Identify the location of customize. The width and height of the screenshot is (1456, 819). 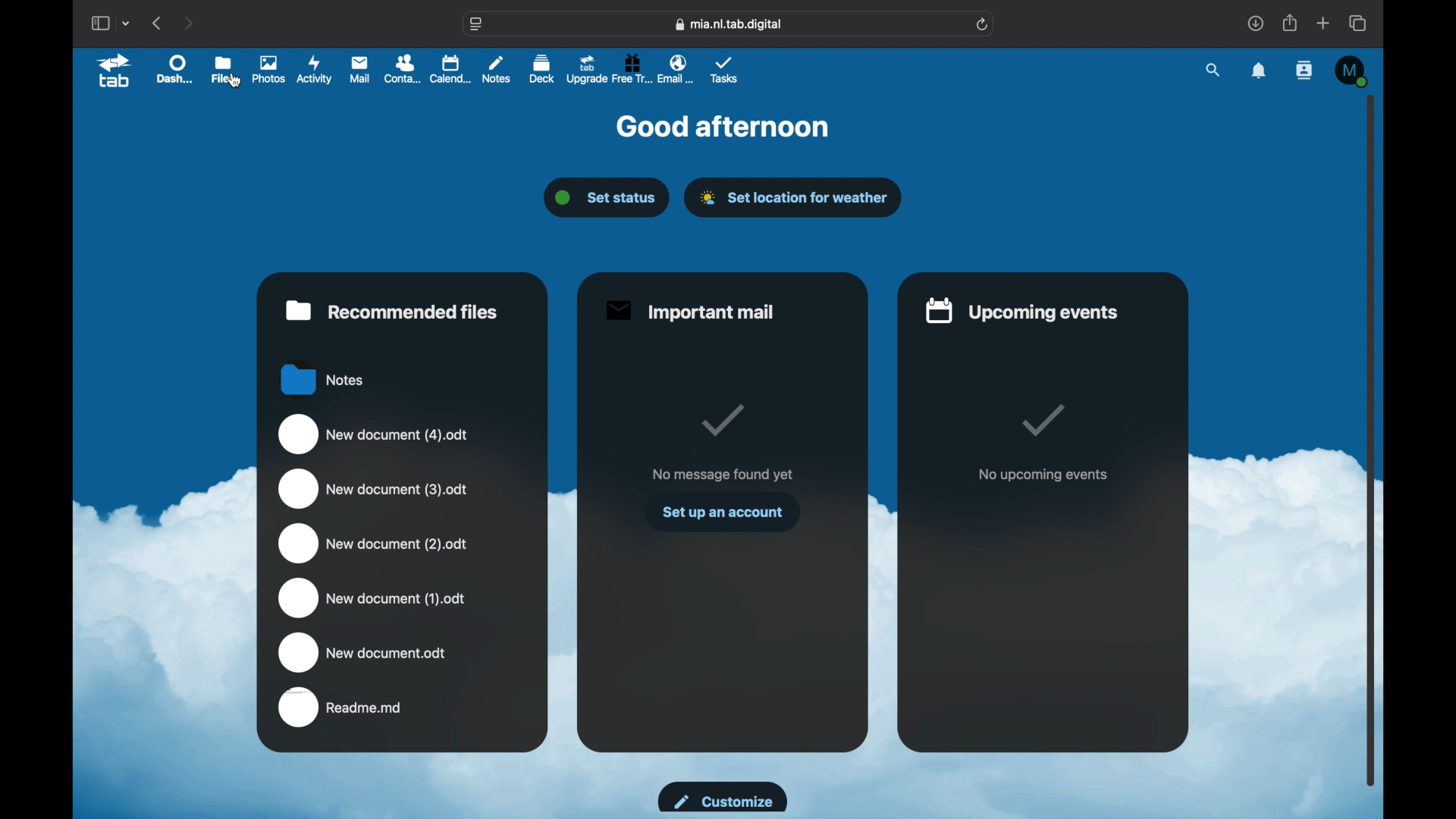
(722, 798).